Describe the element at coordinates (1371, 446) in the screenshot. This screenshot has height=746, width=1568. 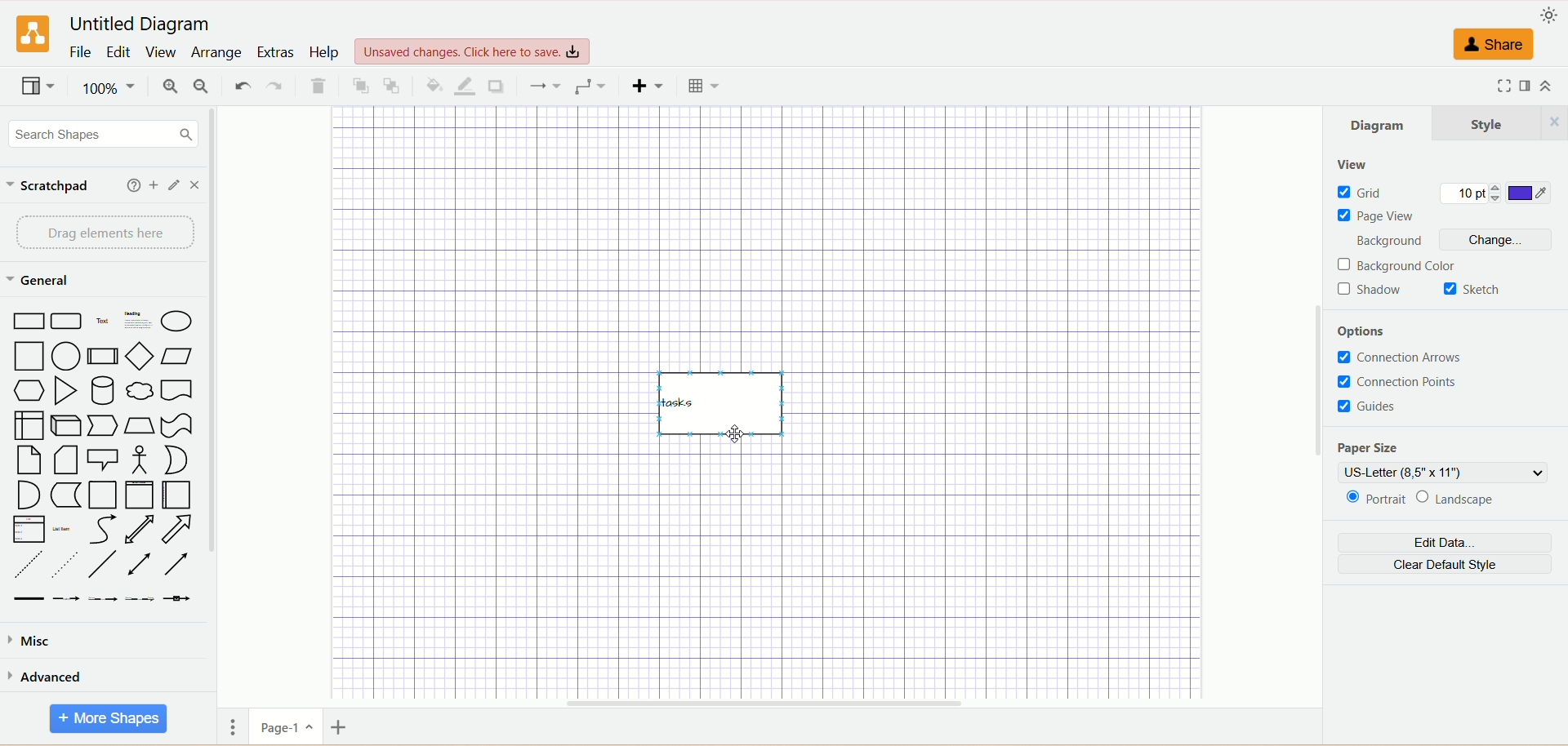
I see `paper size` at that location.